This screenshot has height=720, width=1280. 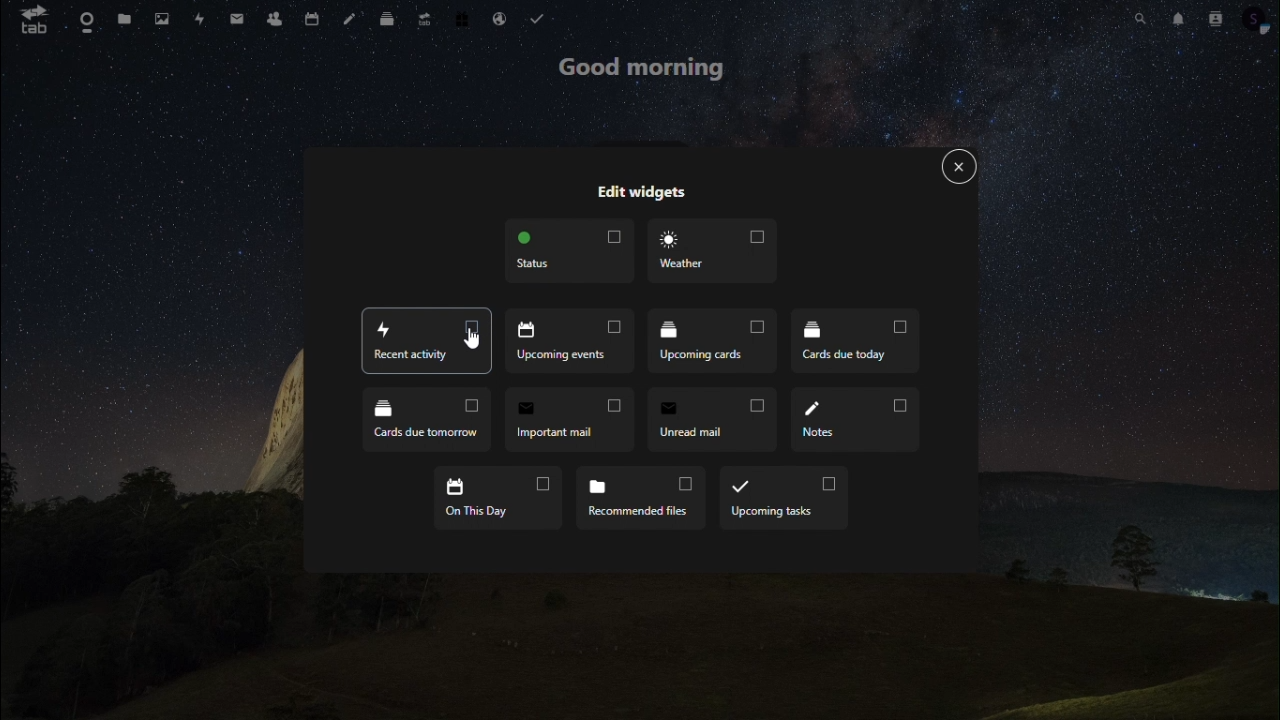 What do you see at coordinates (431, 341) in the screenshot?
I see `recent acticity` at bounding box center [431, 341].